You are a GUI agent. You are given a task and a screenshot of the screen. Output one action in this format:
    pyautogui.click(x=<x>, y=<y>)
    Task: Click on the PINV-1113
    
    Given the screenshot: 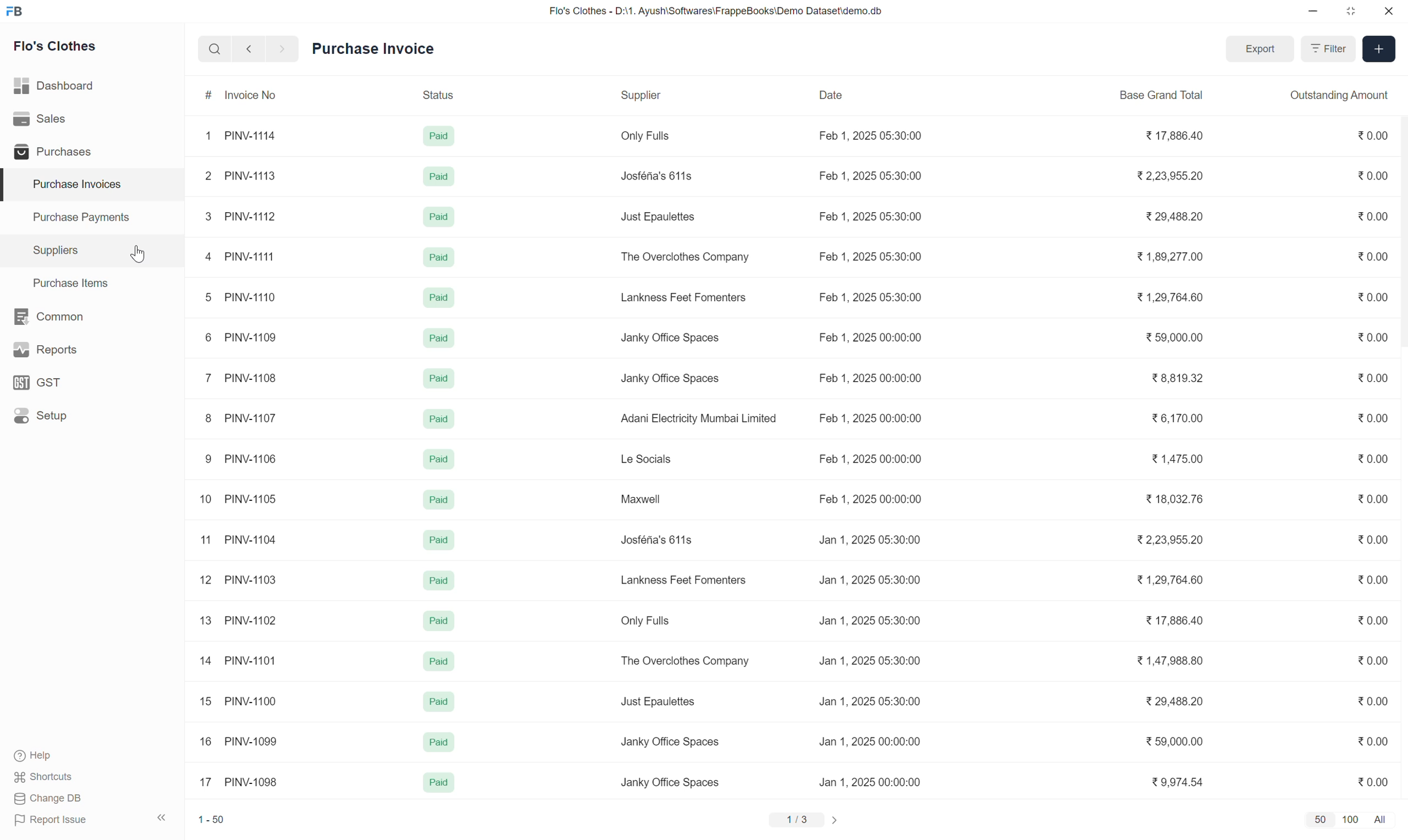 What is the action you would take?
    pyautogui.click(x=253, y=176)
    